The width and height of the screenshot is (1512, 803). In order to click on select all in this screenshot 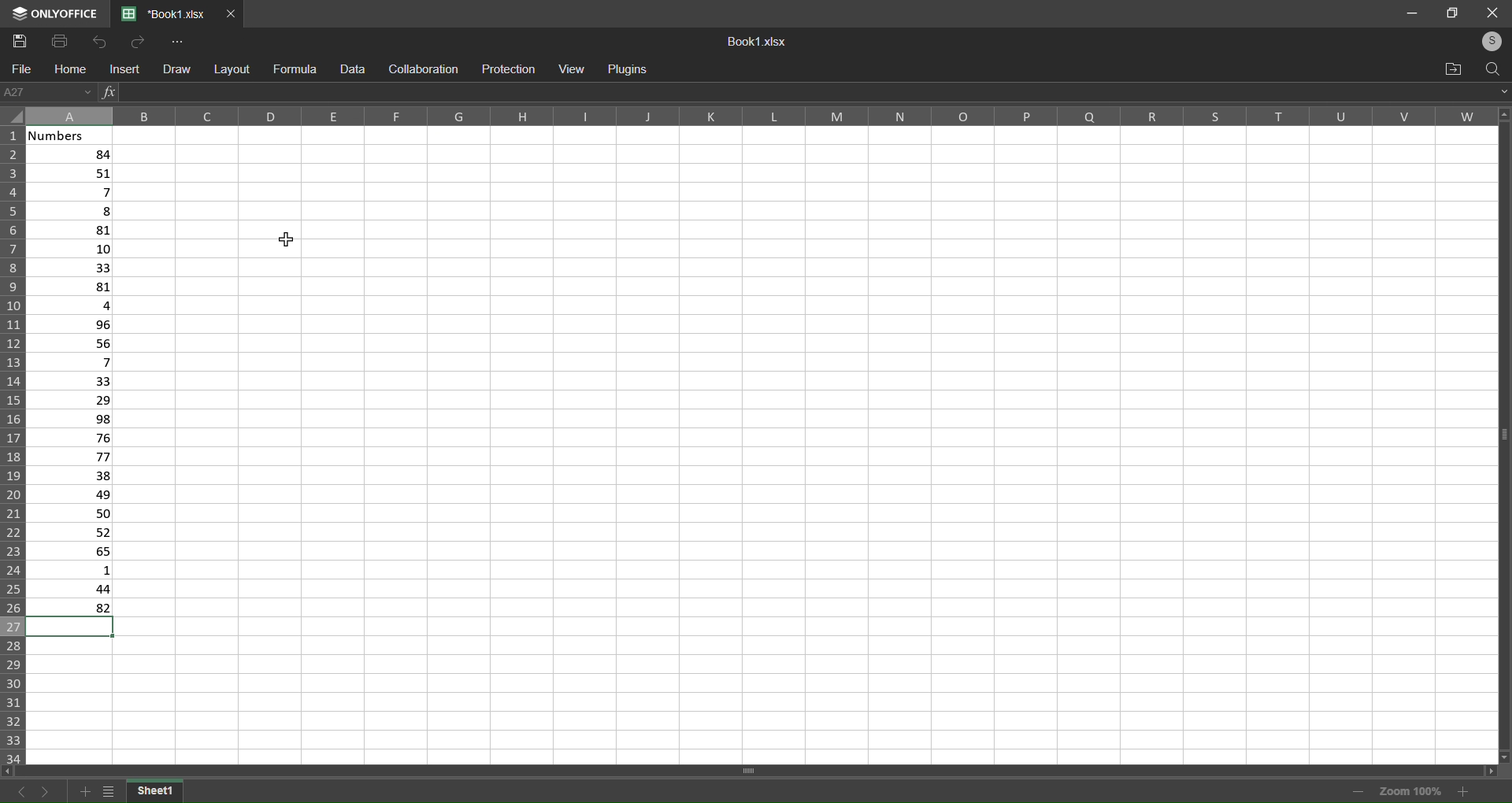, I will do `click(17, 117)`.